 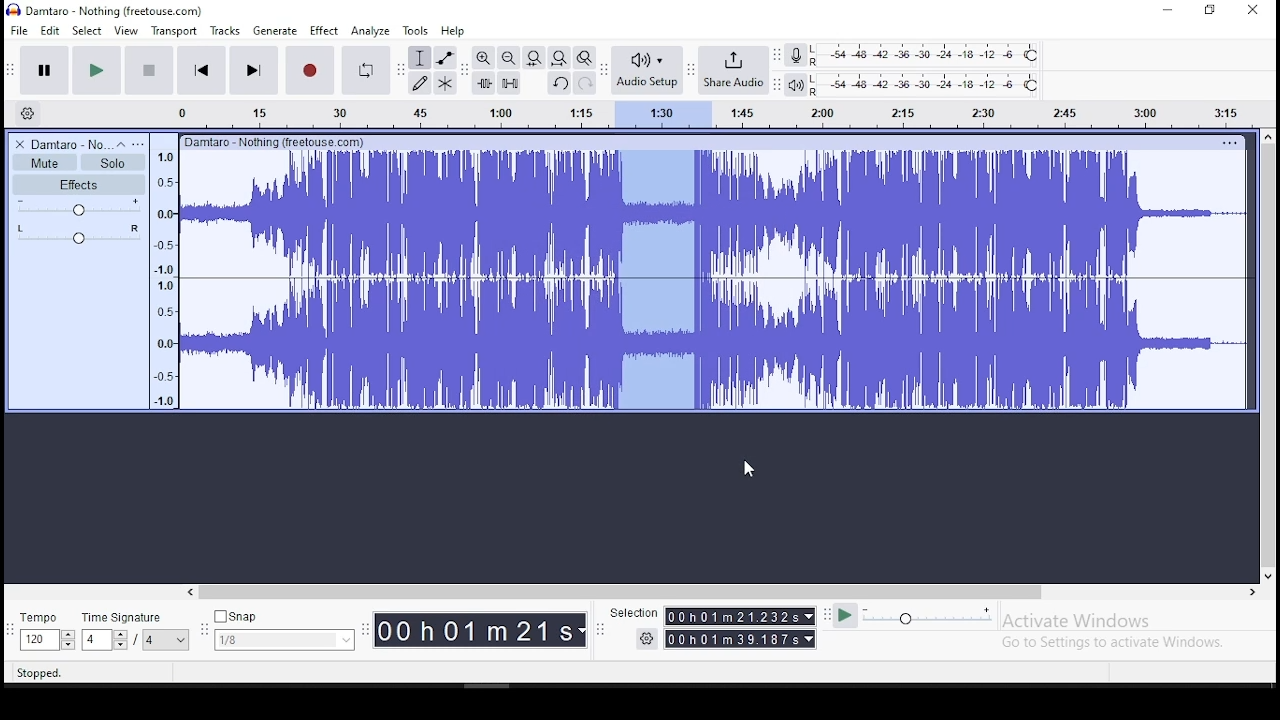 I want to click on close, so click(x=1252, y=11).